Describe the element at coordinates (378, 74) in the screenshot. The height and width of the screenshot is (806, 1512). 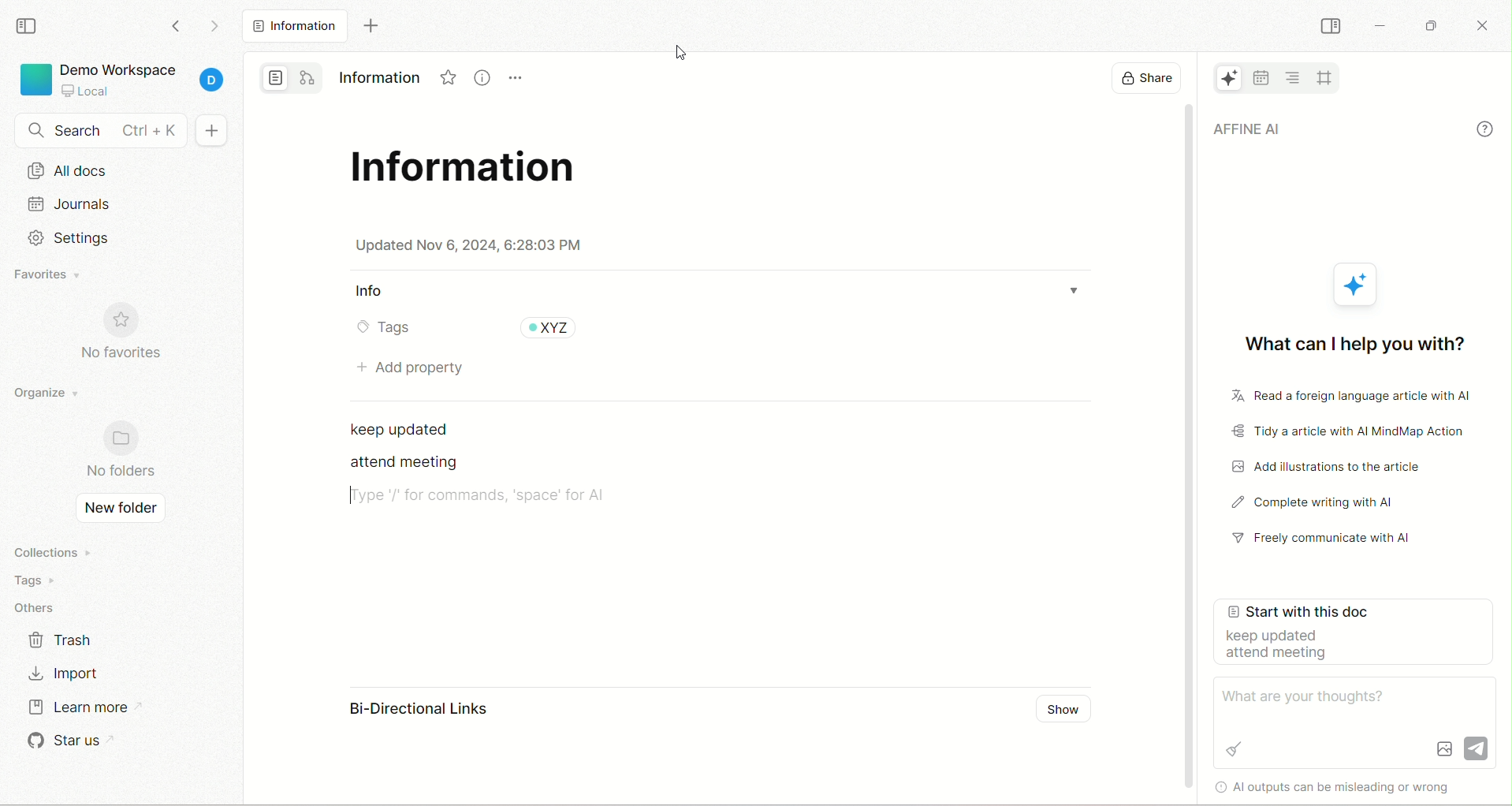
I see `Information` at that location.